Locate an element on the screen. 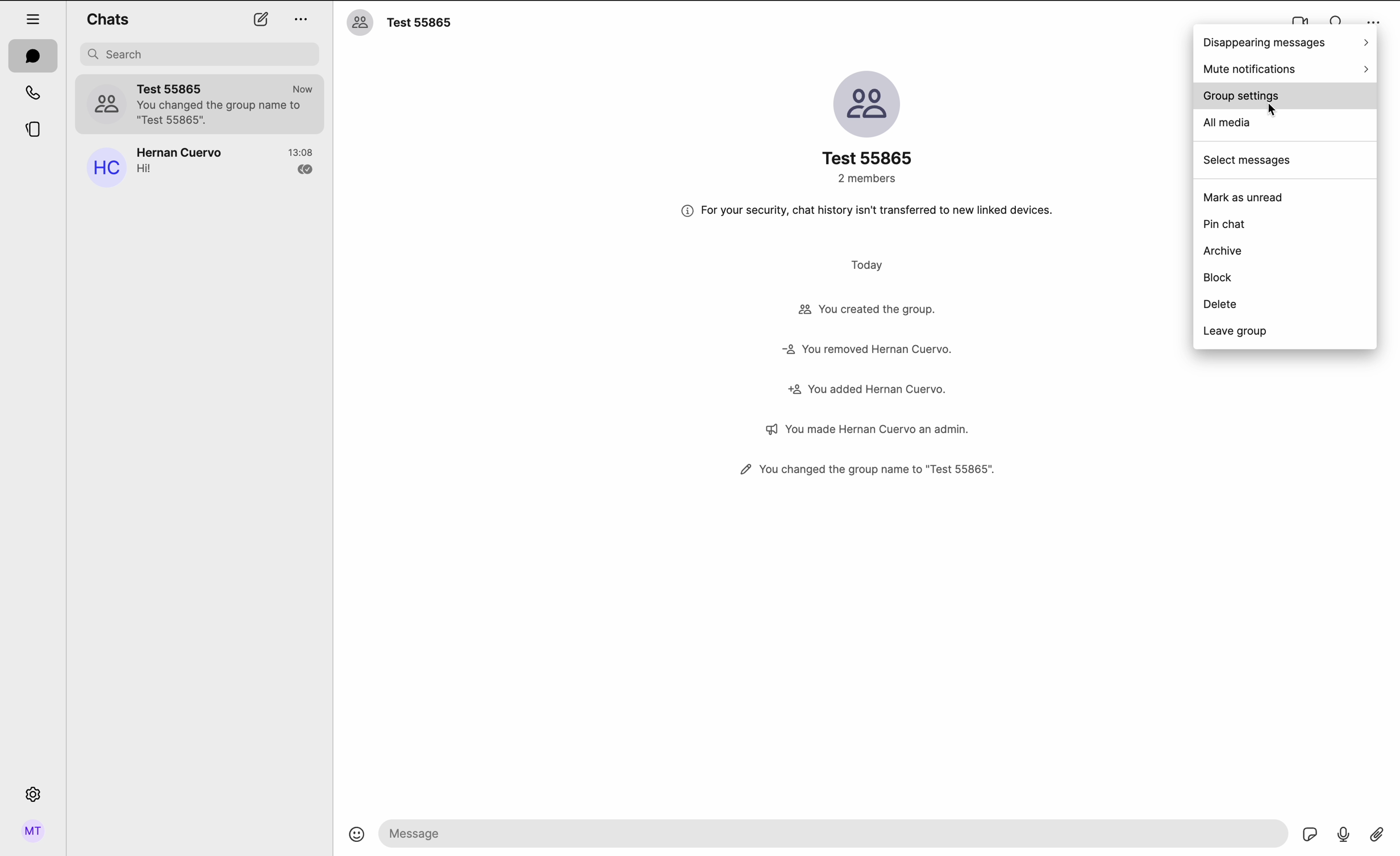  chats is located at coordinates (32, 55).